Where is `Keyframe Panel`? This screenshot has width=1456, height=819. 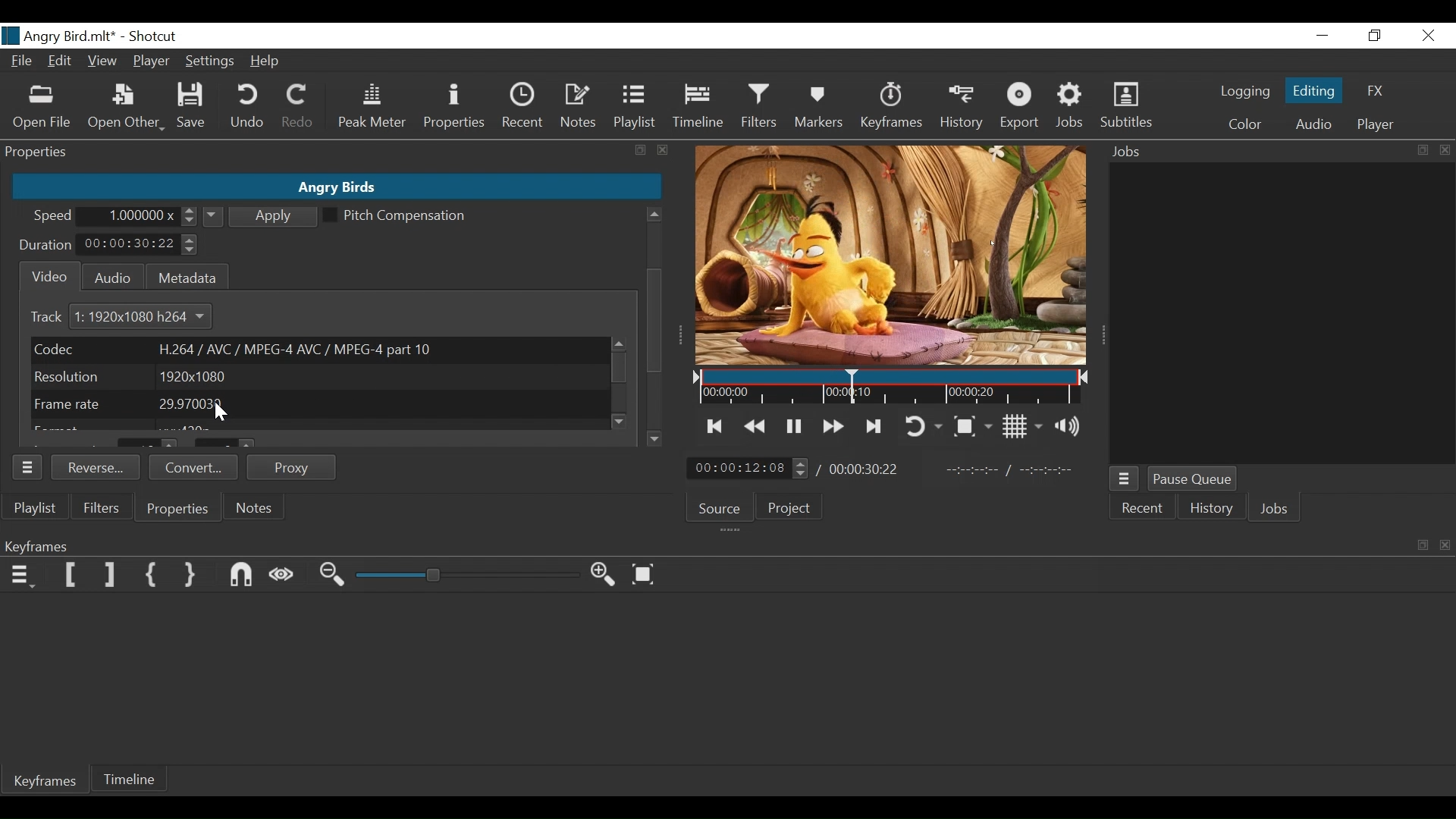 Keyframe Panel is located at coordinates (724, 544).